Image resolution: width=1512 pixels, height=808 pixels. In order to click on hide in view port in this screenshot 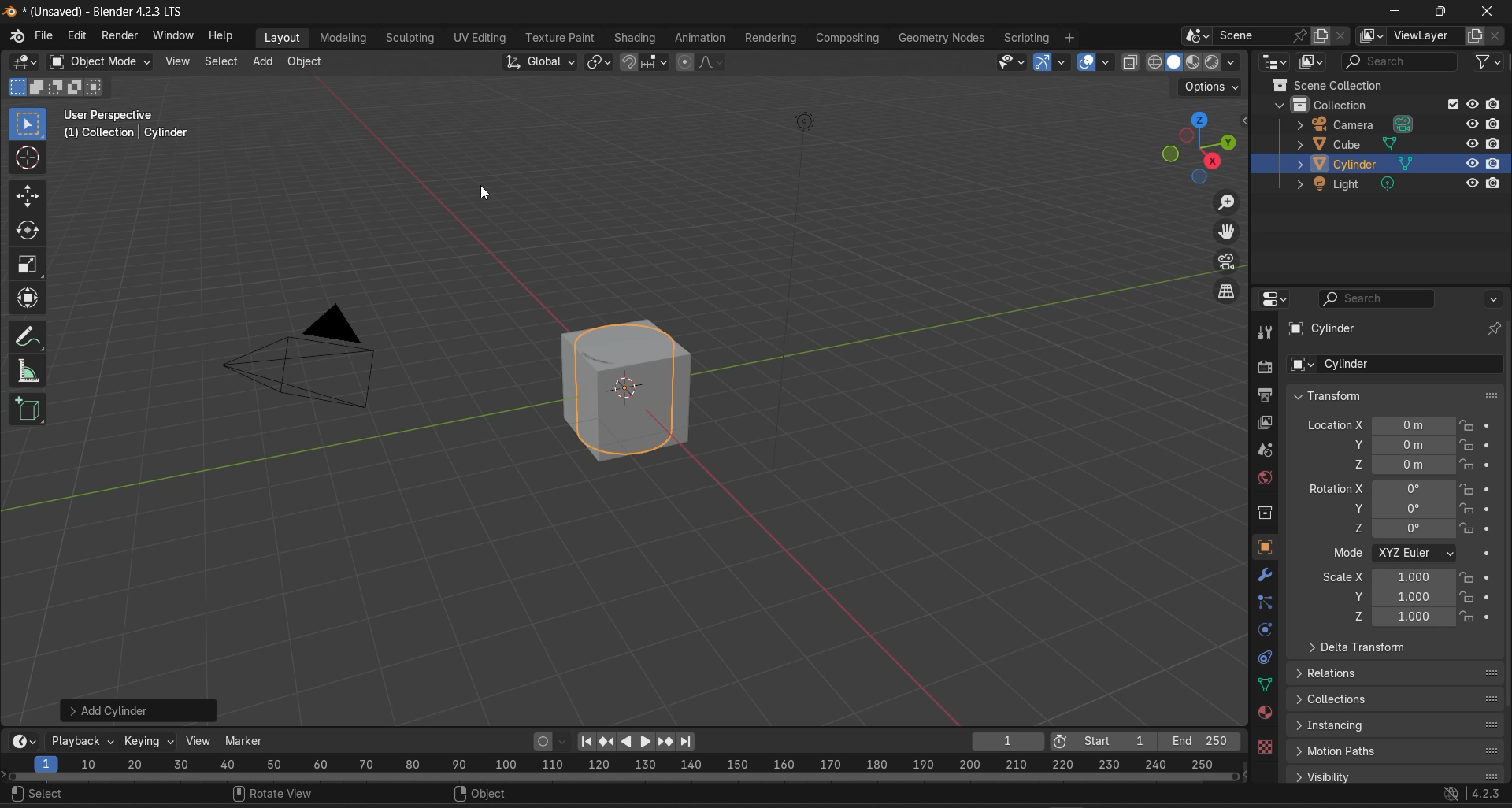, I will do `click(1469, 164)`.